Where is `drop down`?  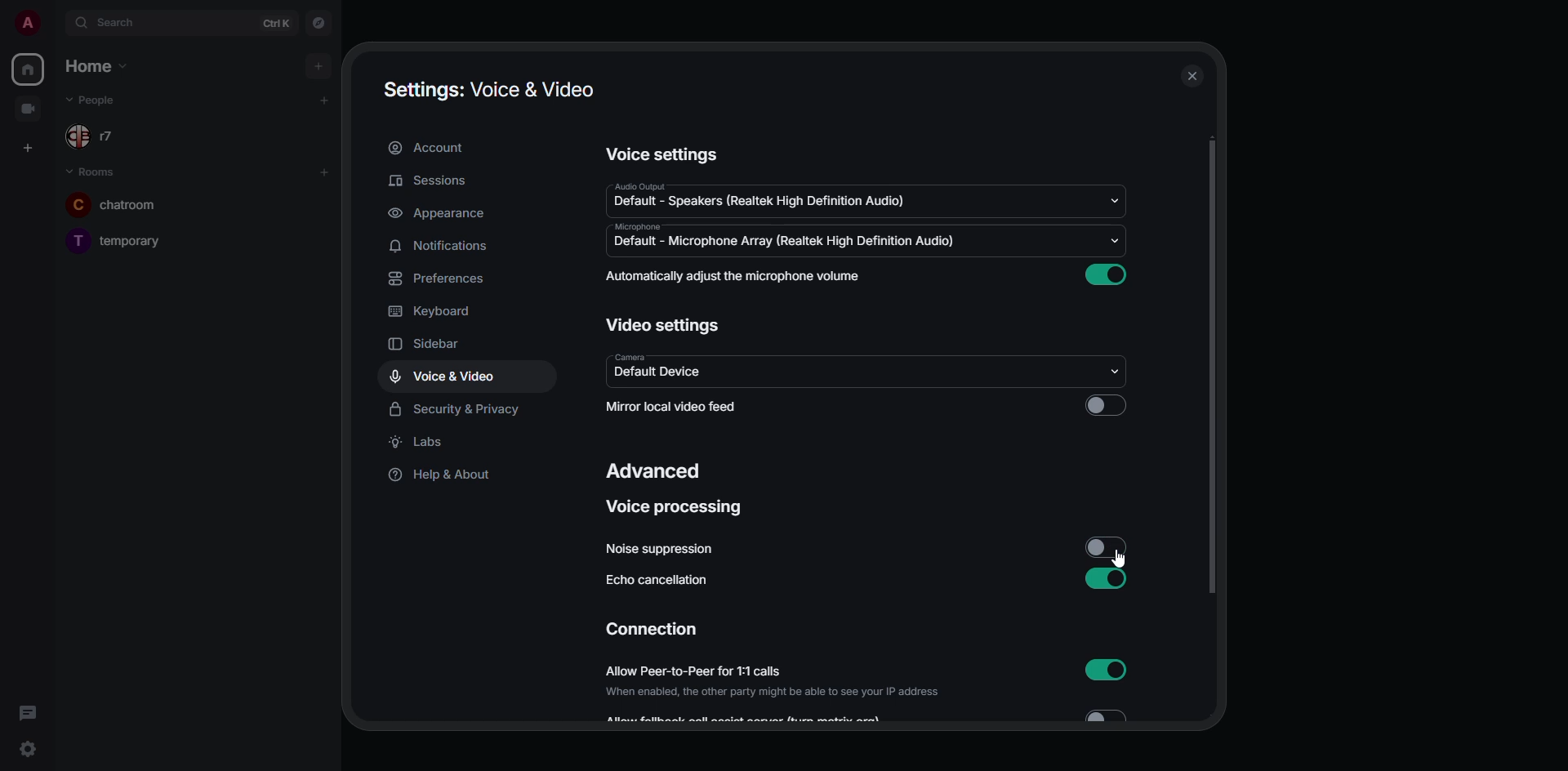 drop down is located at coordinates (1111, 241).